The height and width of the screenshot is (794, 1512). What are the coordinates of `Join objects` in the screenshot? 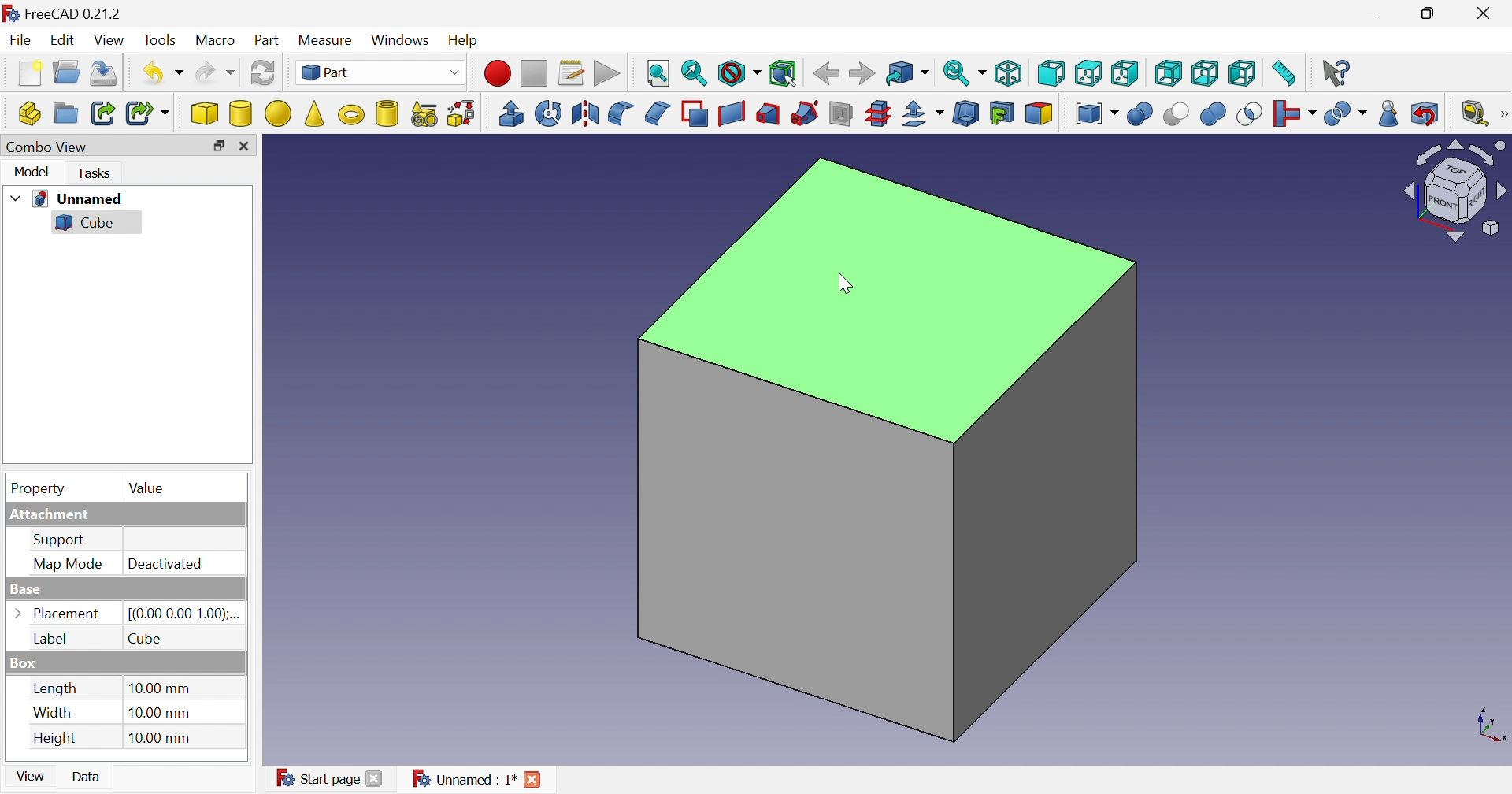 It's located at (1297, 113).